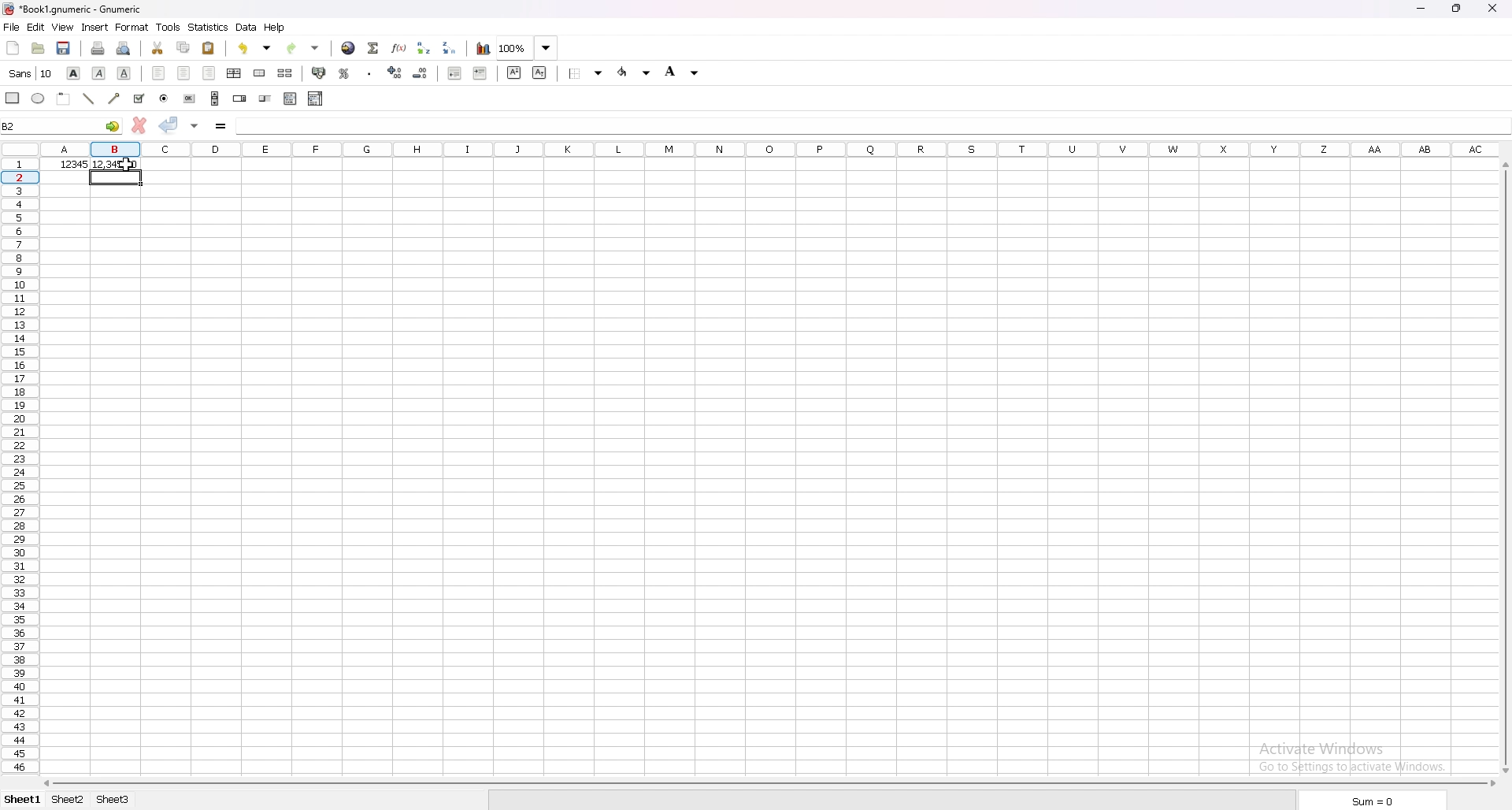  What do you see at coordinates (73, 72) in the screenshot?
I see `bold` at bounding box center [73, 72].